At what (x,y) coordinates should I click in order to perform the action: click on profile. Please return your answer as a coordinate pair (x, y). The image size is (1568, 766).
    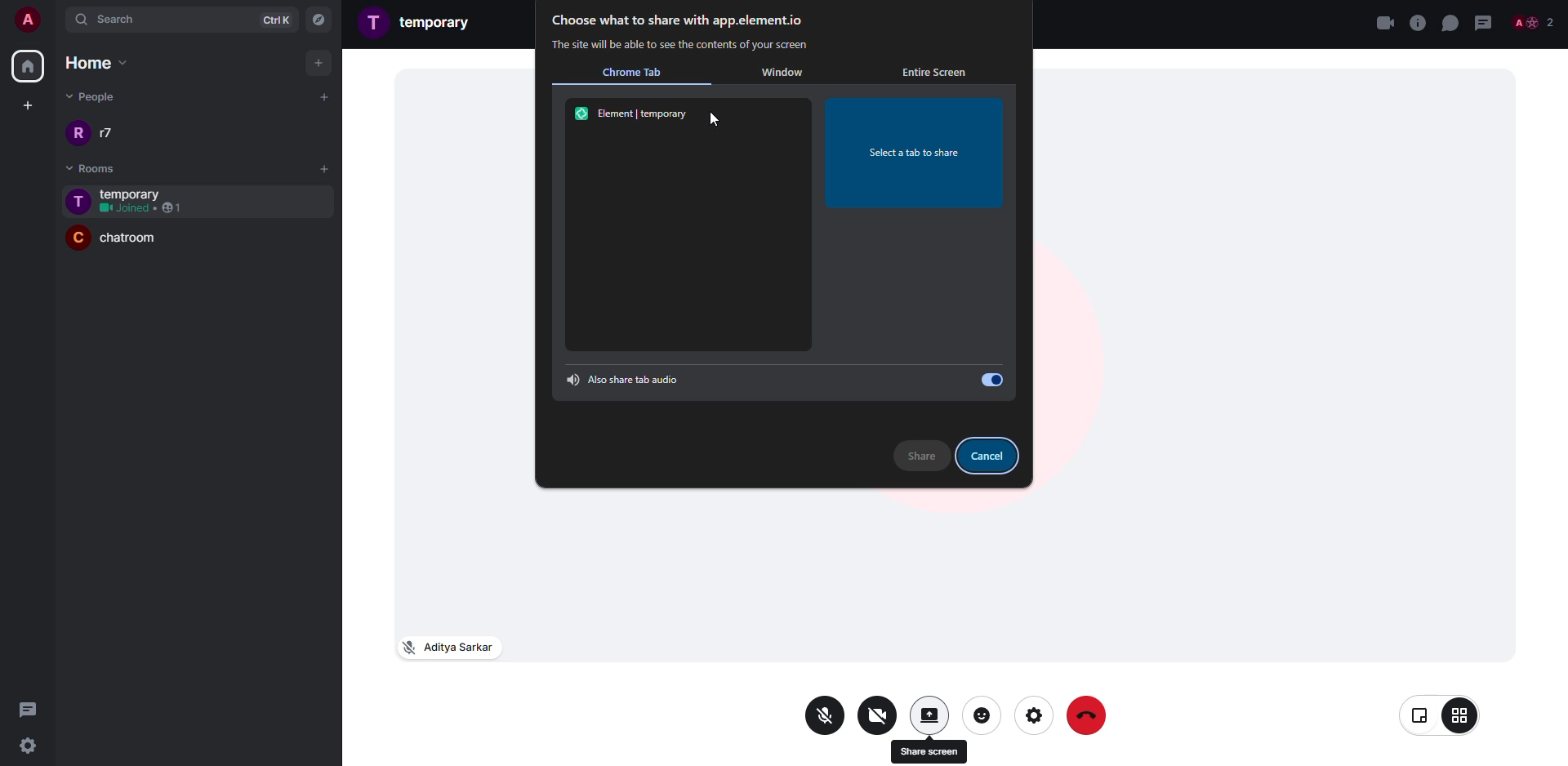
    Looking at the image, I should click on (76, 238).